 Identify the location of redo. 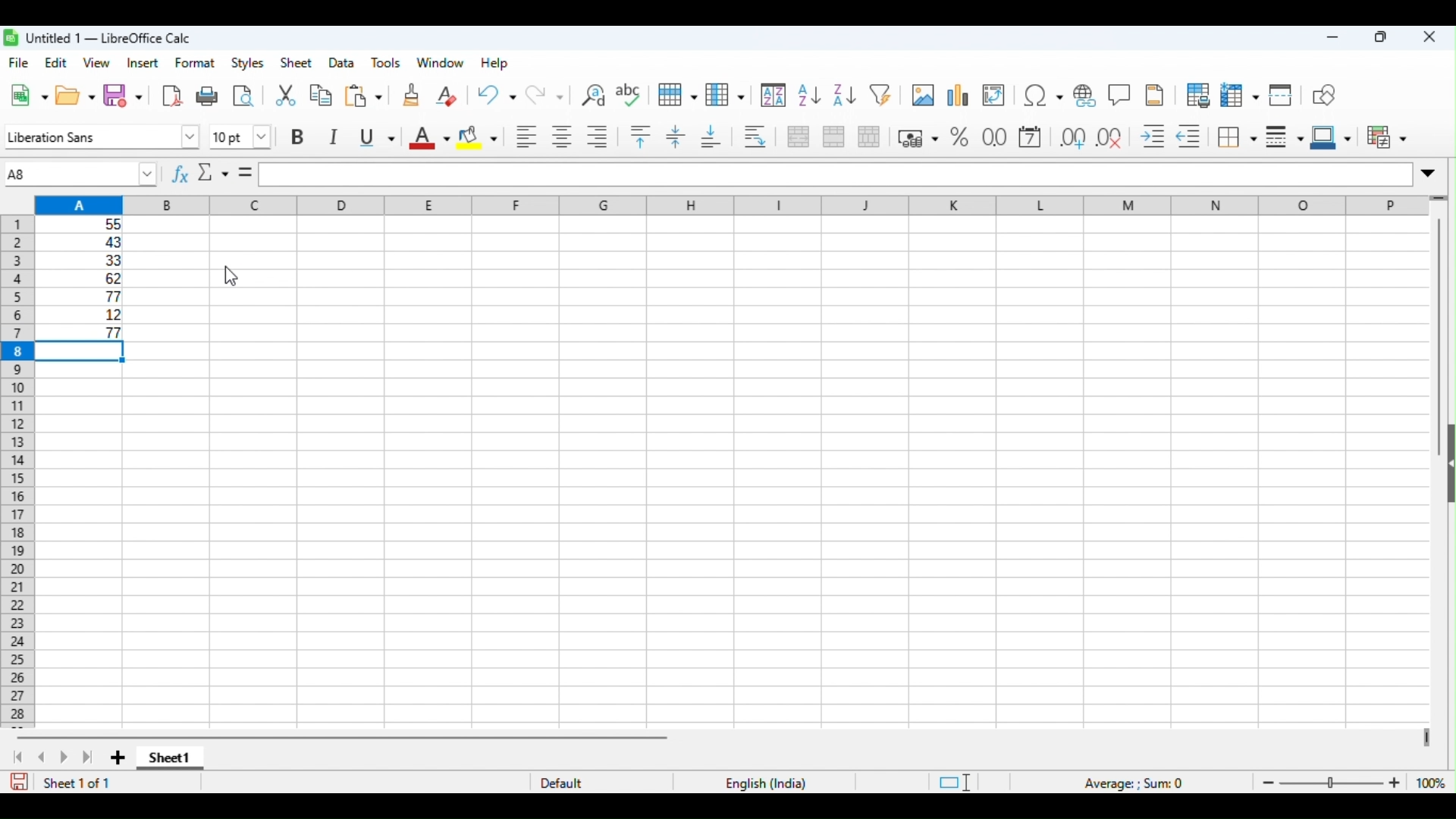
(547, 96).